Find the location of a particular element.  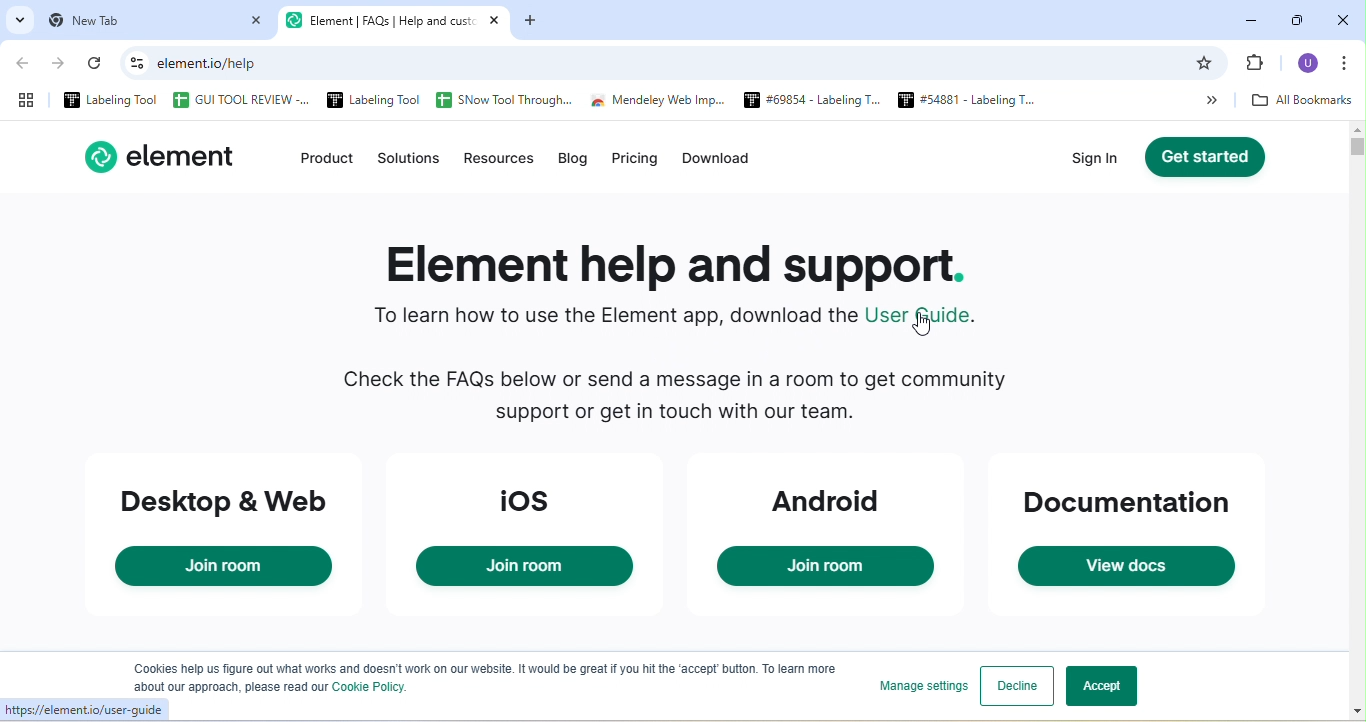

cursor is located at coordinates (923, 325).